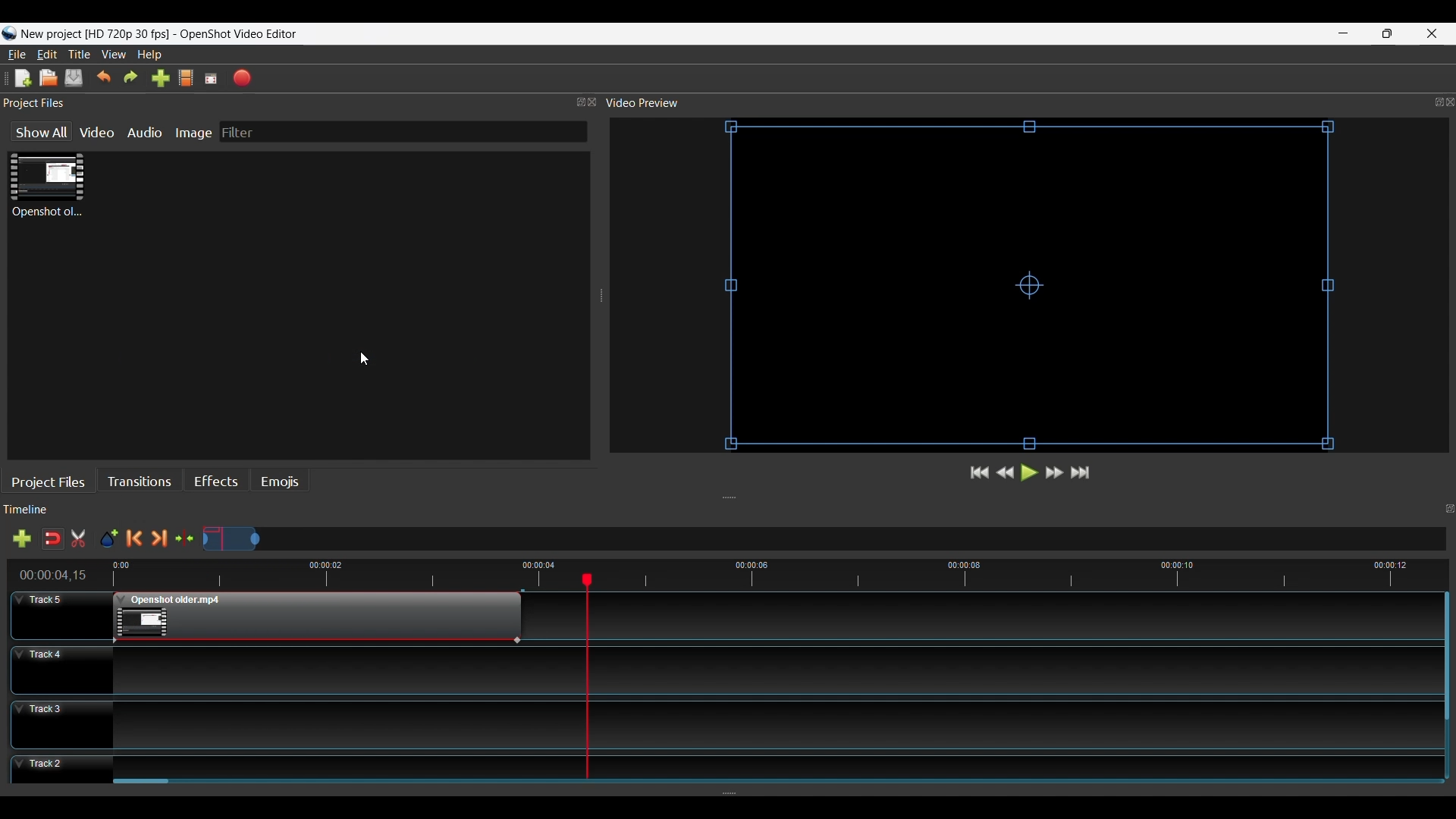  What do you see at coordinates (1344, 33) in the screenshot?
I see `minimize` at bounding box center [1344, 33].